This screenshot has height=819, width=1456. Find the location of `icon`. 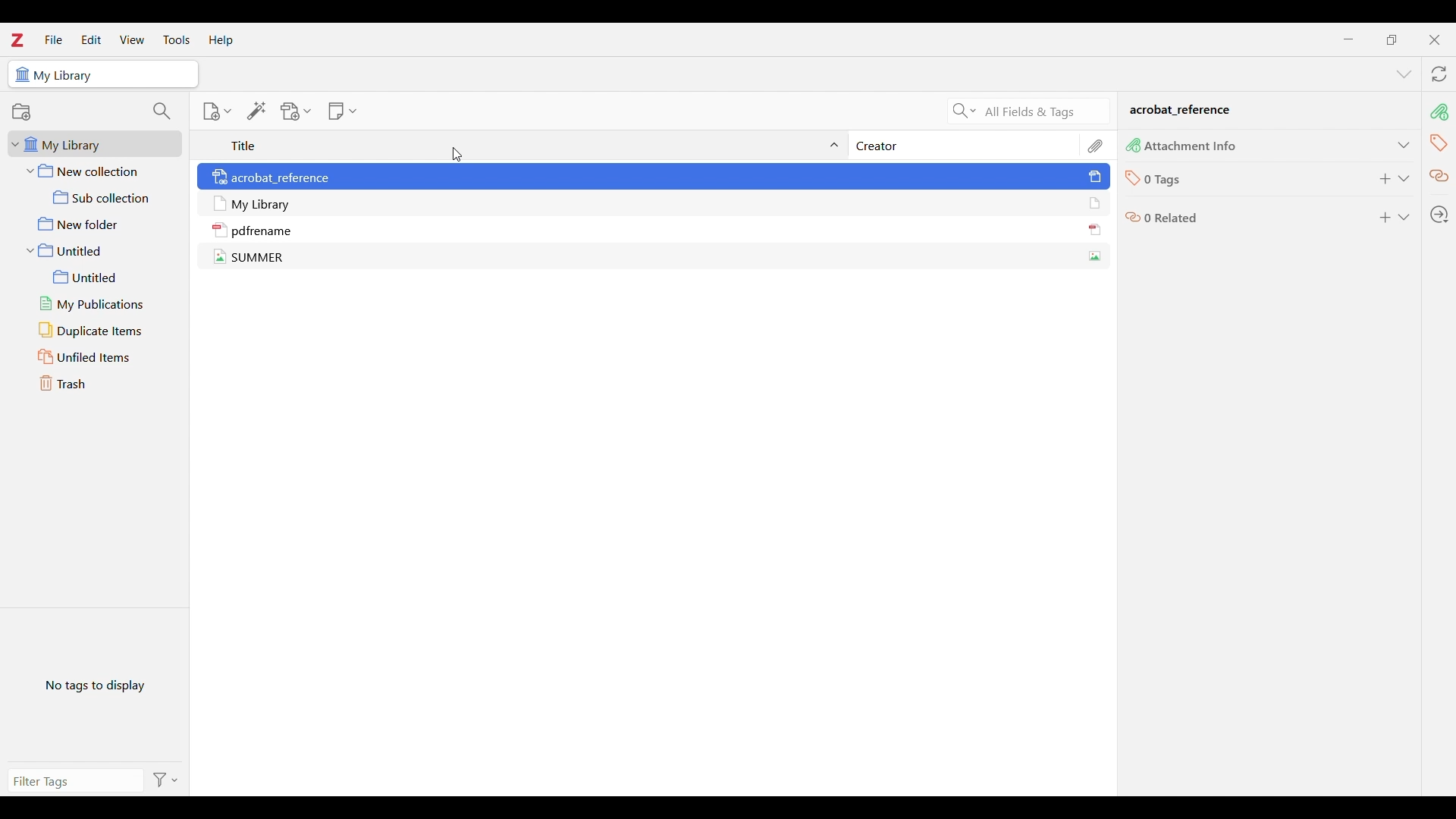

icon is located at coordinates (1095, 177).